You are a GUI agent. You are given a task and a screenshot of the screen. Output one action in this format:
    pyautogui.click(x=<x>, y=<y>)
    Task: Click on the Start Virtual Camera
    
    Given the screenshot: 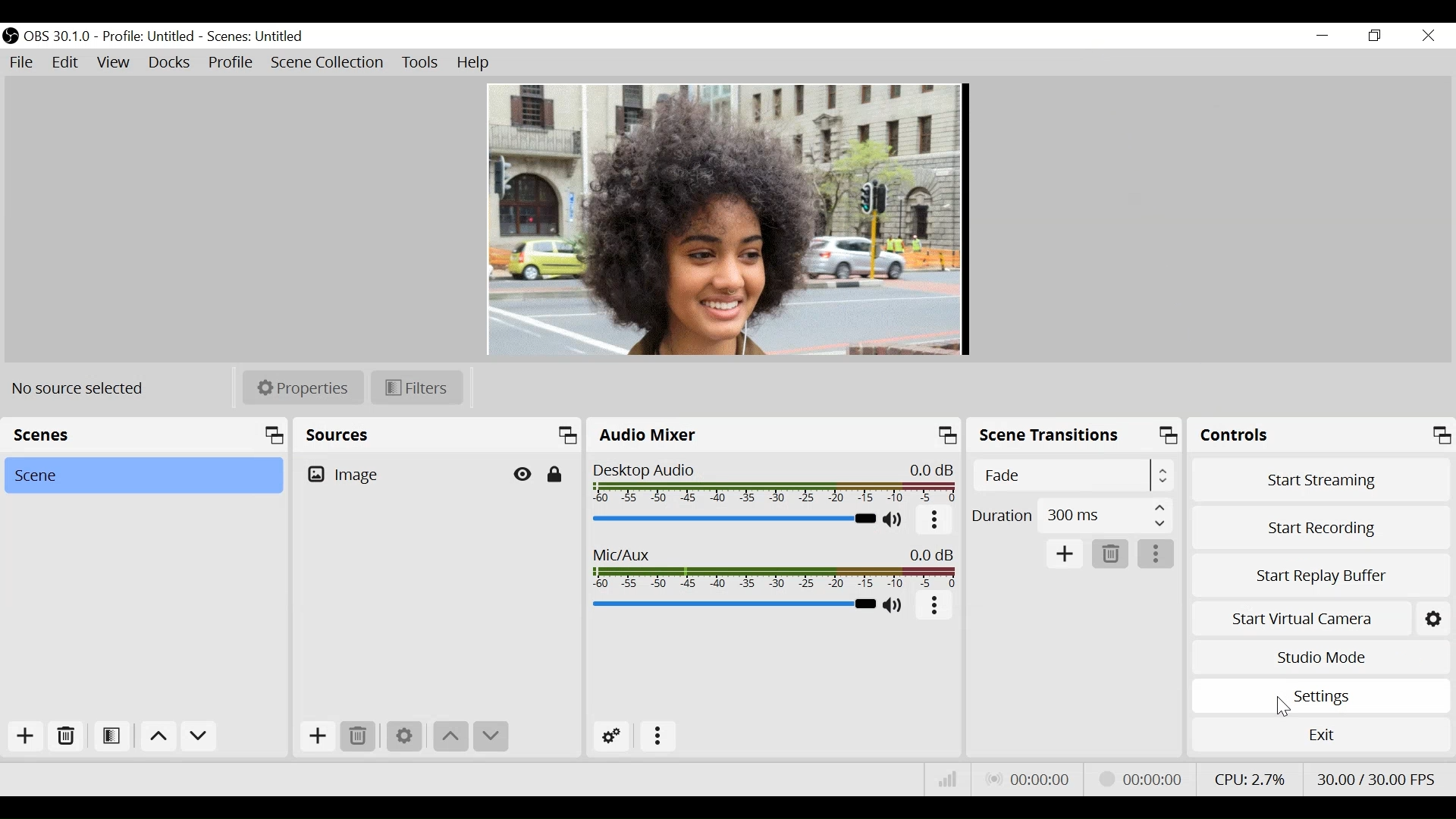 What is the action you would take?
    pyautogui.click(x=1299, y=619)
    